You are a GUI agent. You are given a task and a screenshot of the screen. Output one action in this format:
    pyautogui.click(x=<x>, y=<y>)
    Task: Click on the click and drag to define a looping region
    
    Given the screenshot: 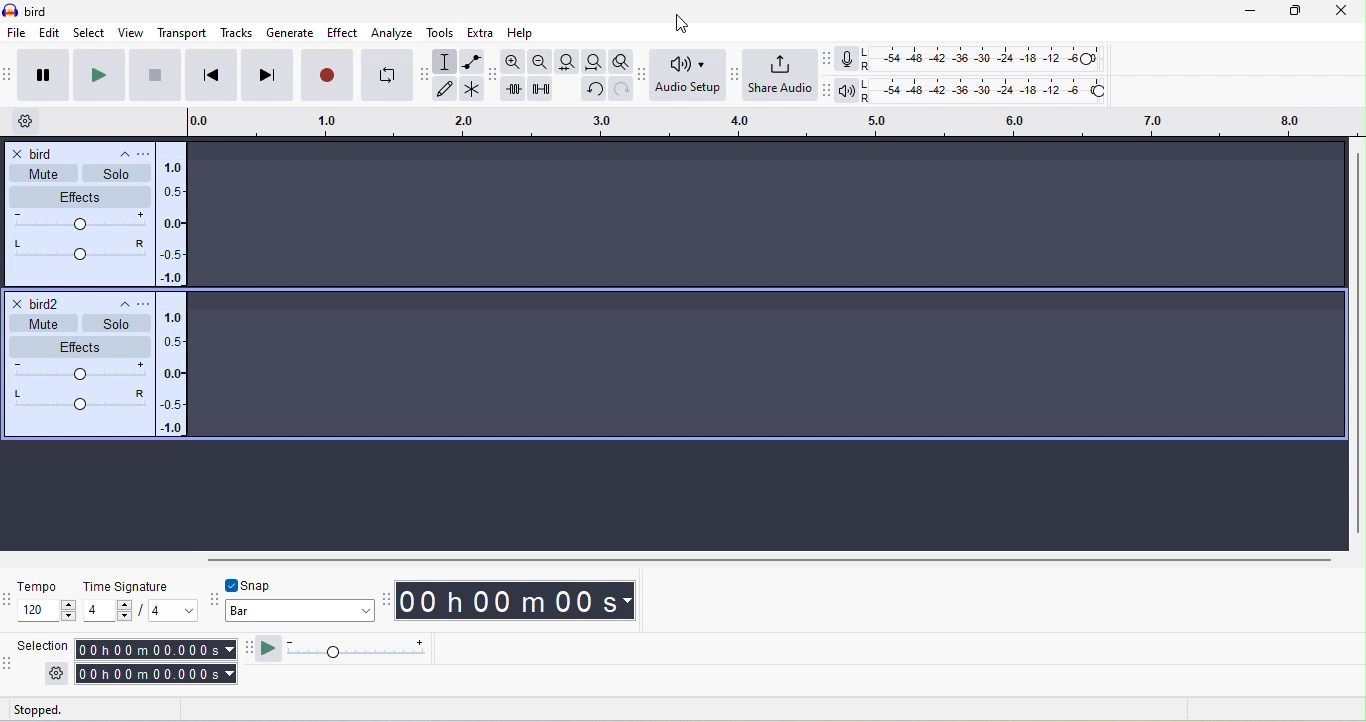 What is the action you would take?
    pyautogui.click(x=588, y=123)
    